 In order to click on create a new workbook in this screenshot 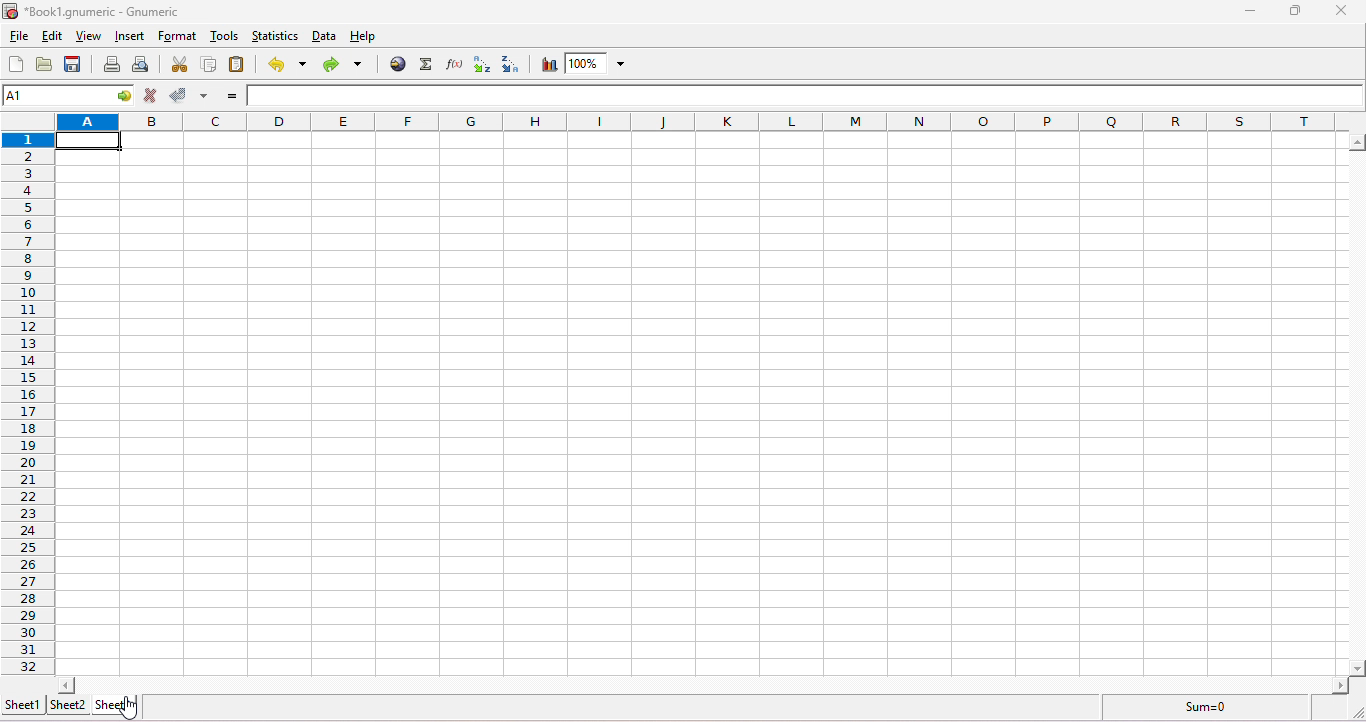, I will do `click(15, 64)`.